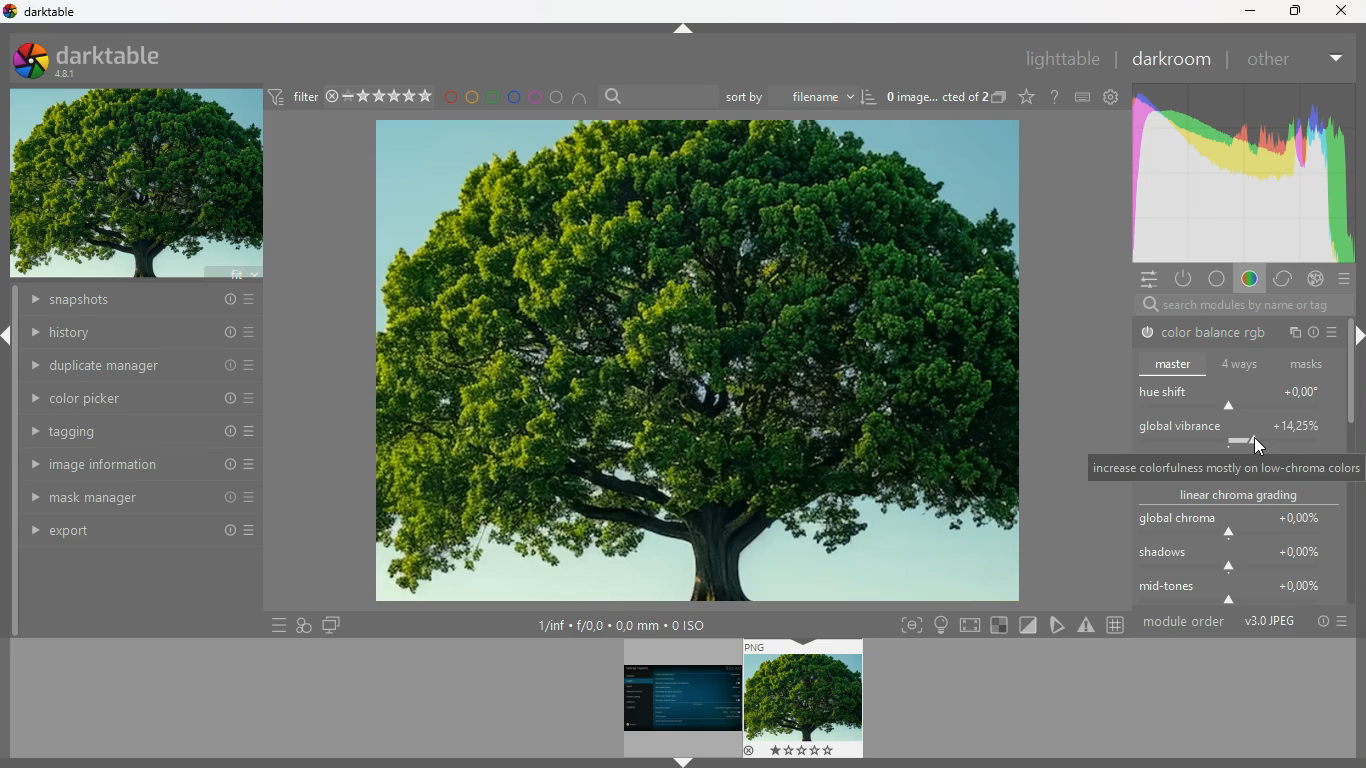  Describe the element at coordinates (1182, 278) in the screenshot. I see `power` at that location.